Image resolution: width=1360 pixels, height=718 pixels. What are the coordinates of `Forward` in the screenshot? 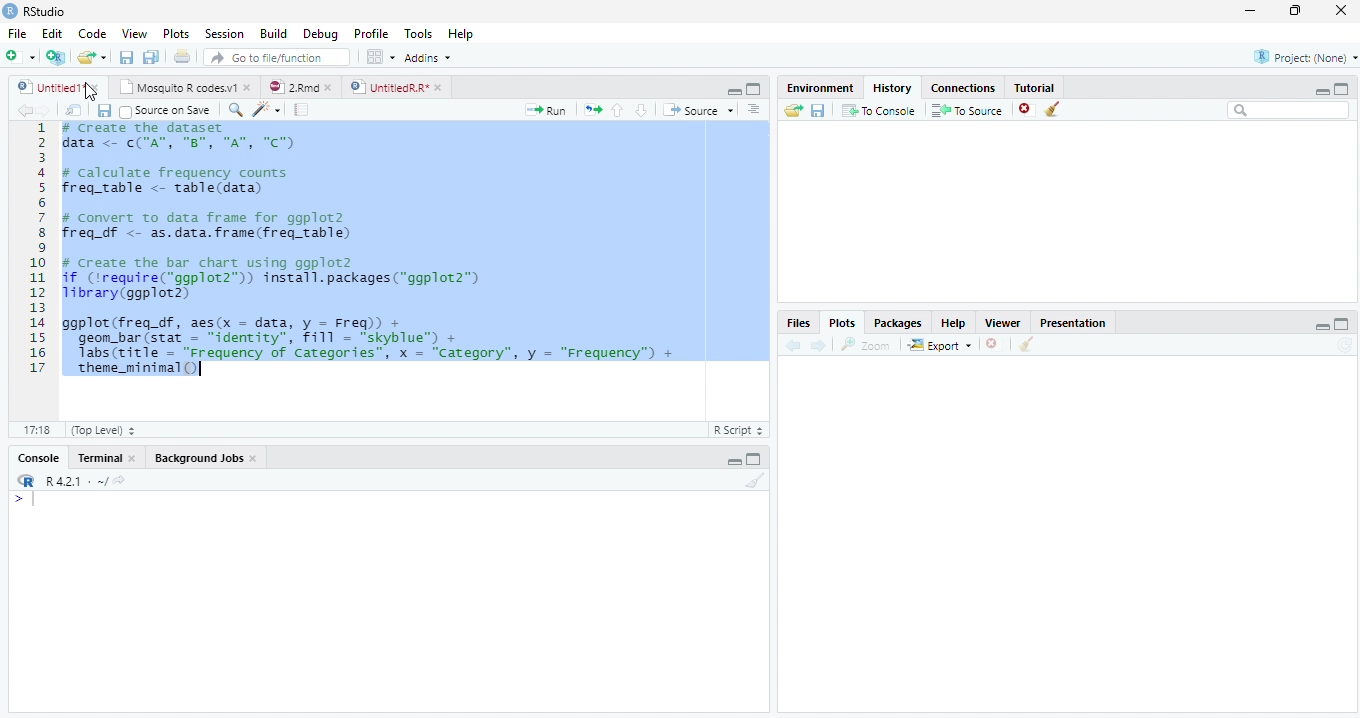 It's located at (50, 110).